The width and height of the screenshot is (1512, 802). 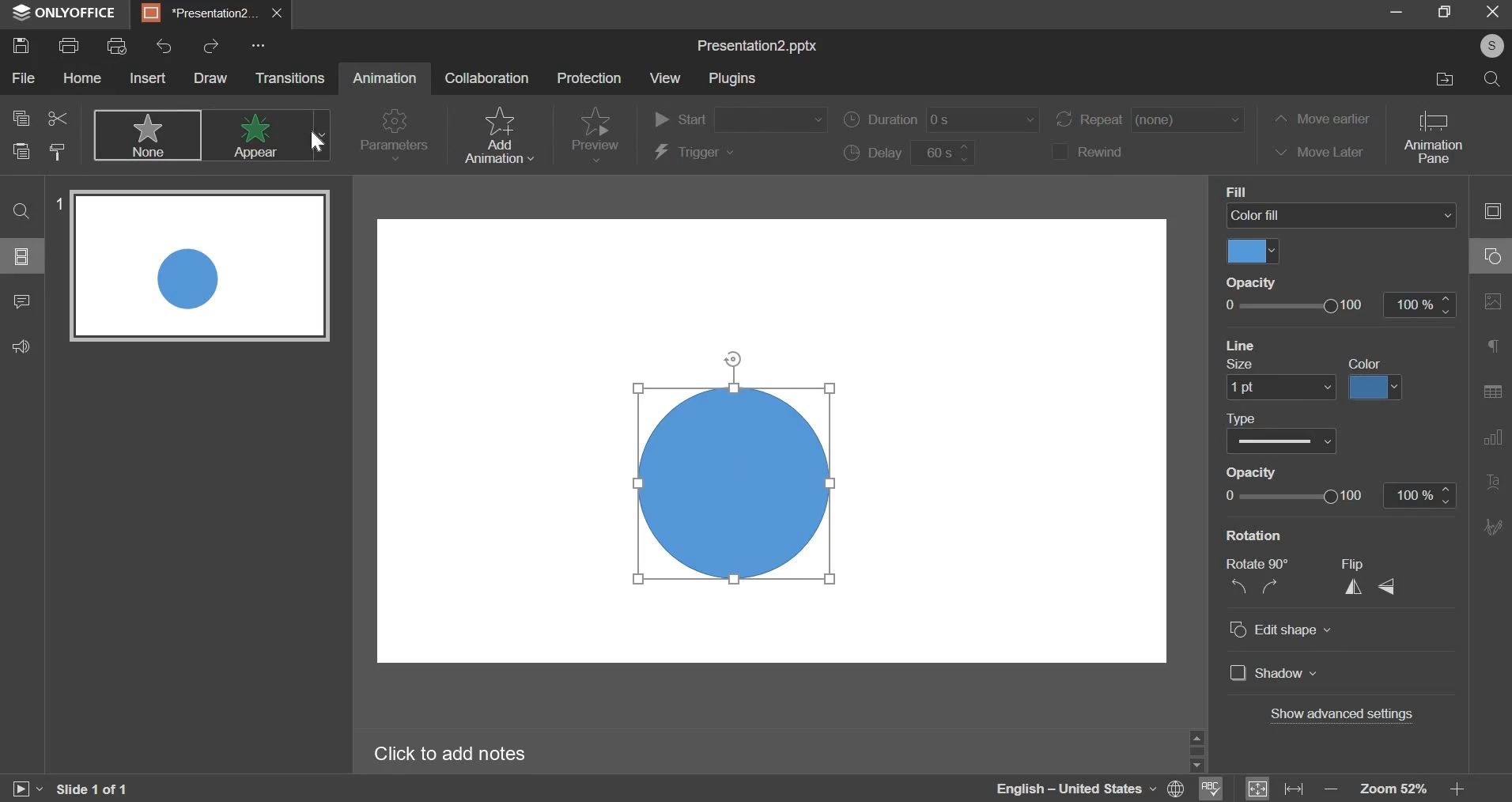 I want to click on slide 1, so click(x=207, y=271).